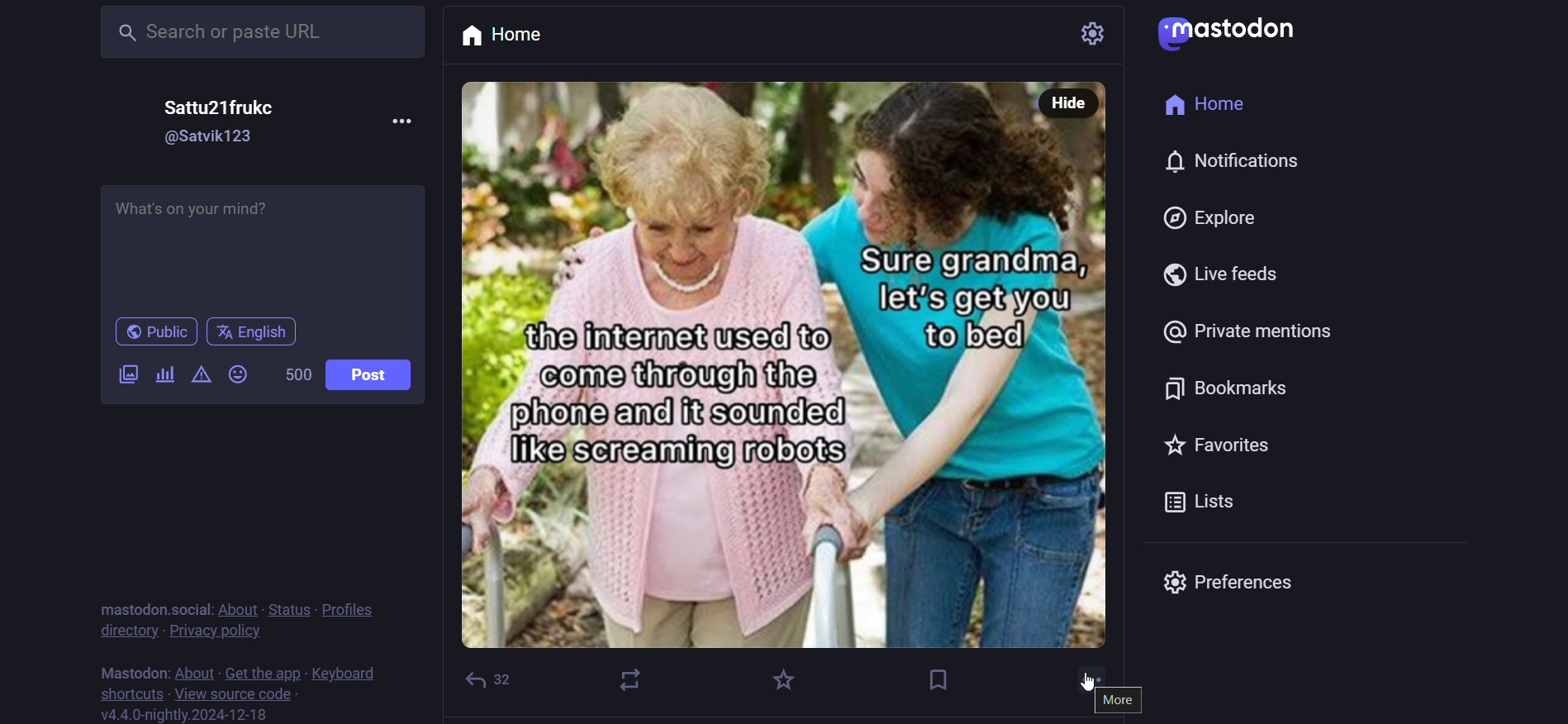 This screenshot has width=1568, height=724. What do you see at coordinates (298, 373) in the screenshot?
I see `word limit` at bounding box center [298, 373].